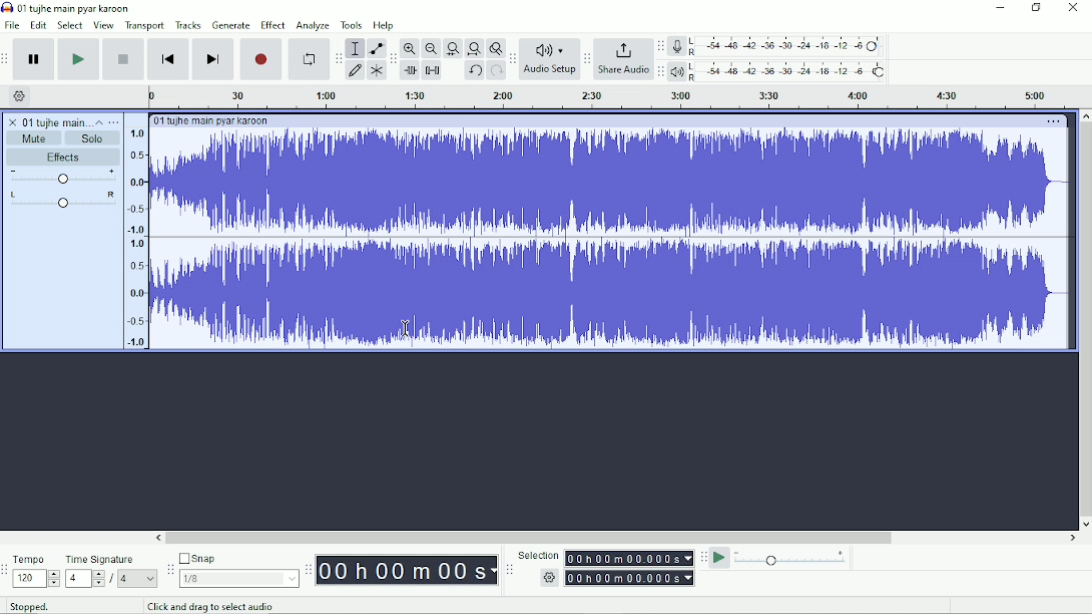 This screenshot has width=1092, height=614. I want to click on Time Signature, so click(110, 570).